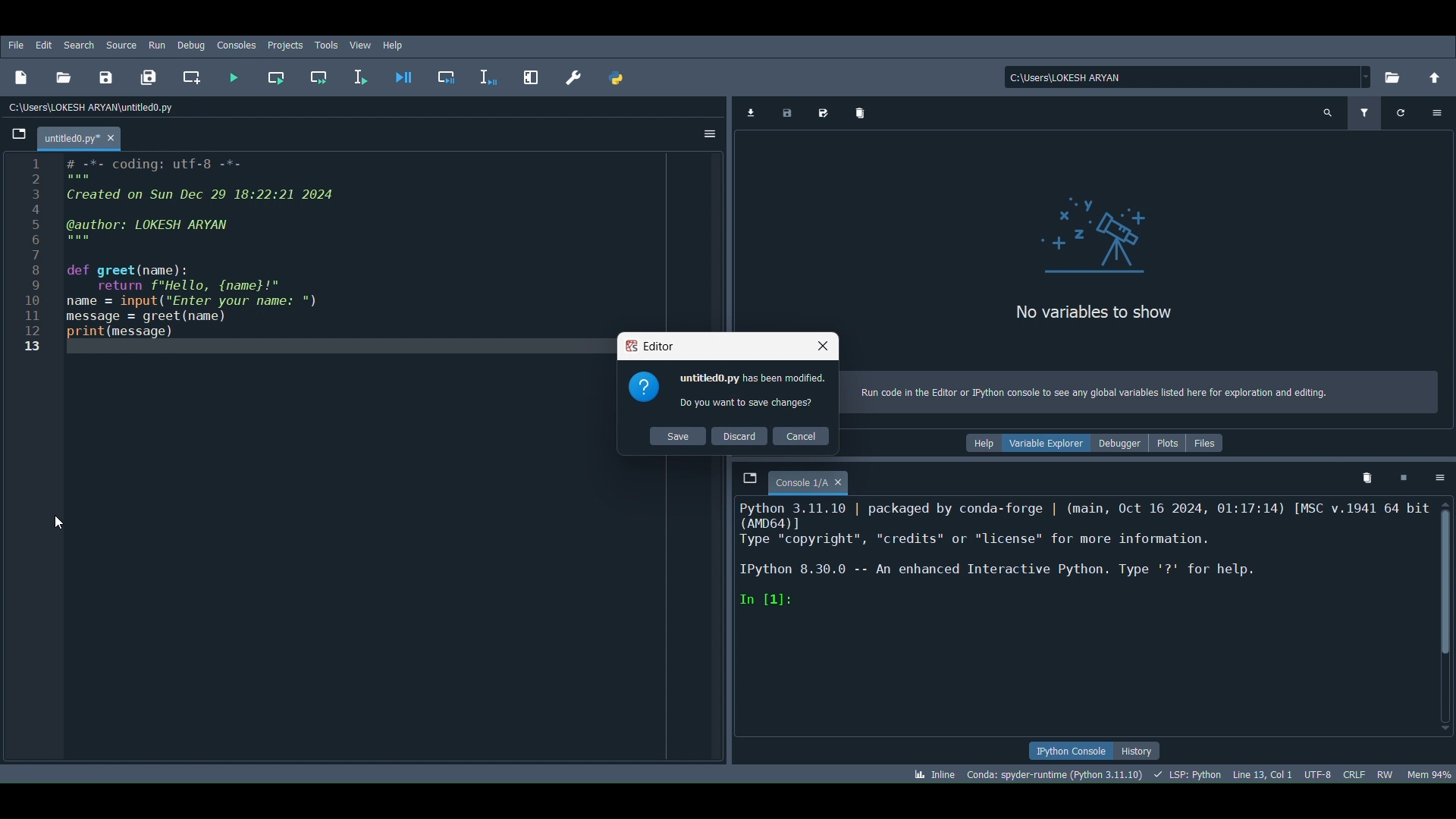  What do you see at coordinates (96, 105) in the screenshot?
I see `File path` at bounding box center [96, 105].